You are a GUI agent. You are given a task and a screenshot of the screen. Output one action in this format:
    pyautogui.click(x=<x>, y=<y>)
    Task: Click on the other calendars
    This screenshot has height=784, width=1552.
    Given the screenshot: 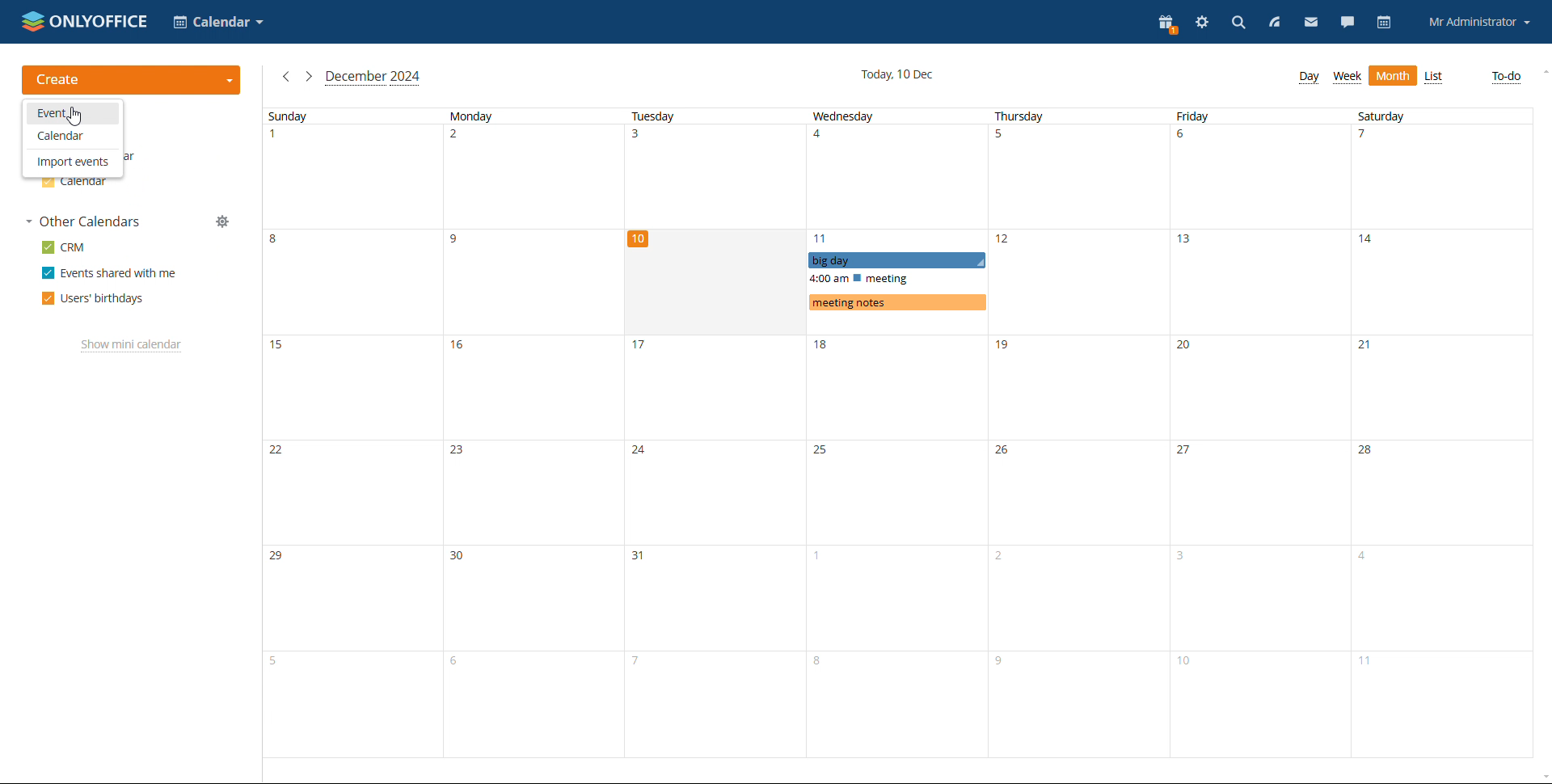 What is the action you would take?
    pyautogui.click(x=83, y=221)
    